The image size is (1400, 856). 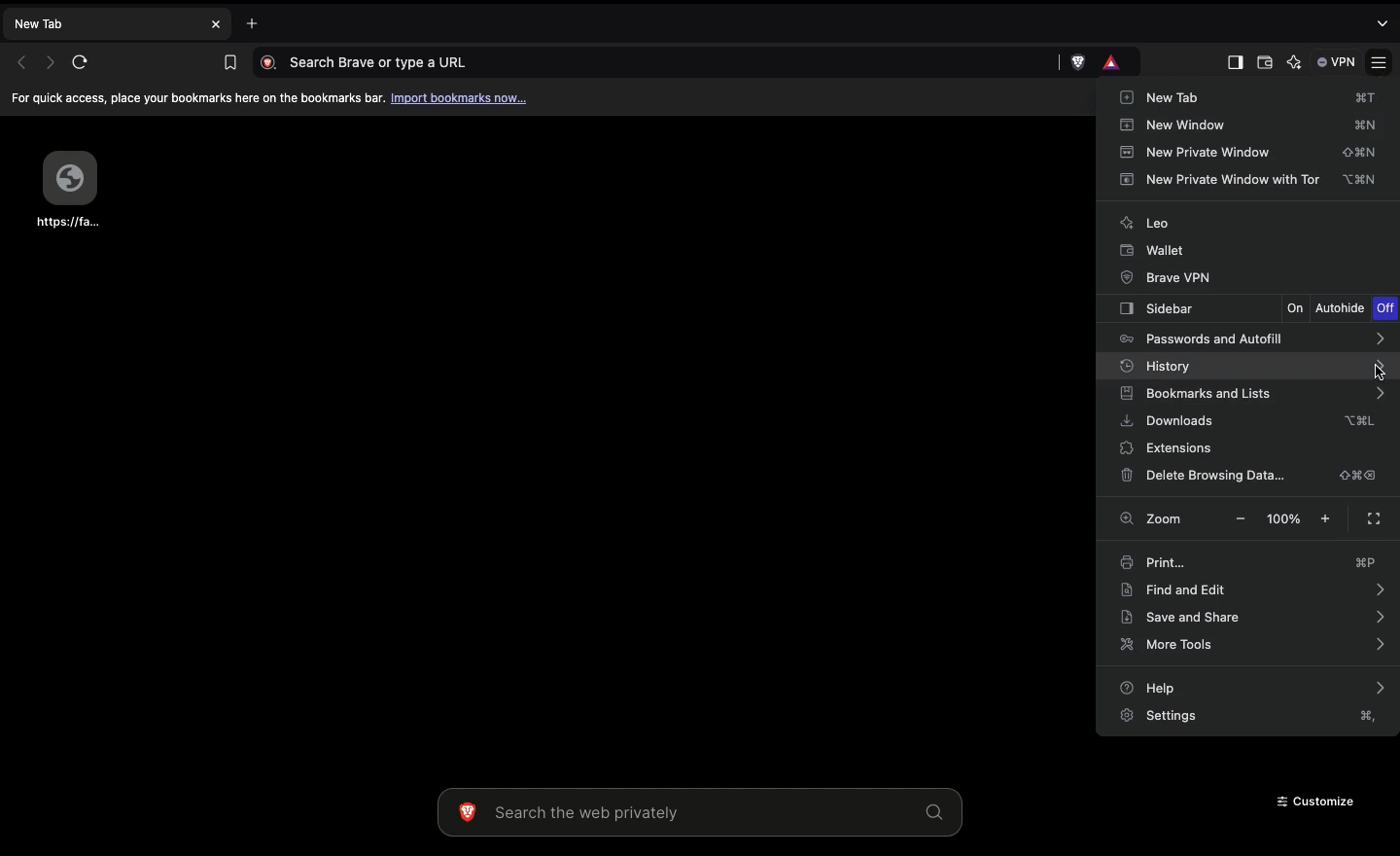 I want to click on Settings, so click(x=1382, y=62).